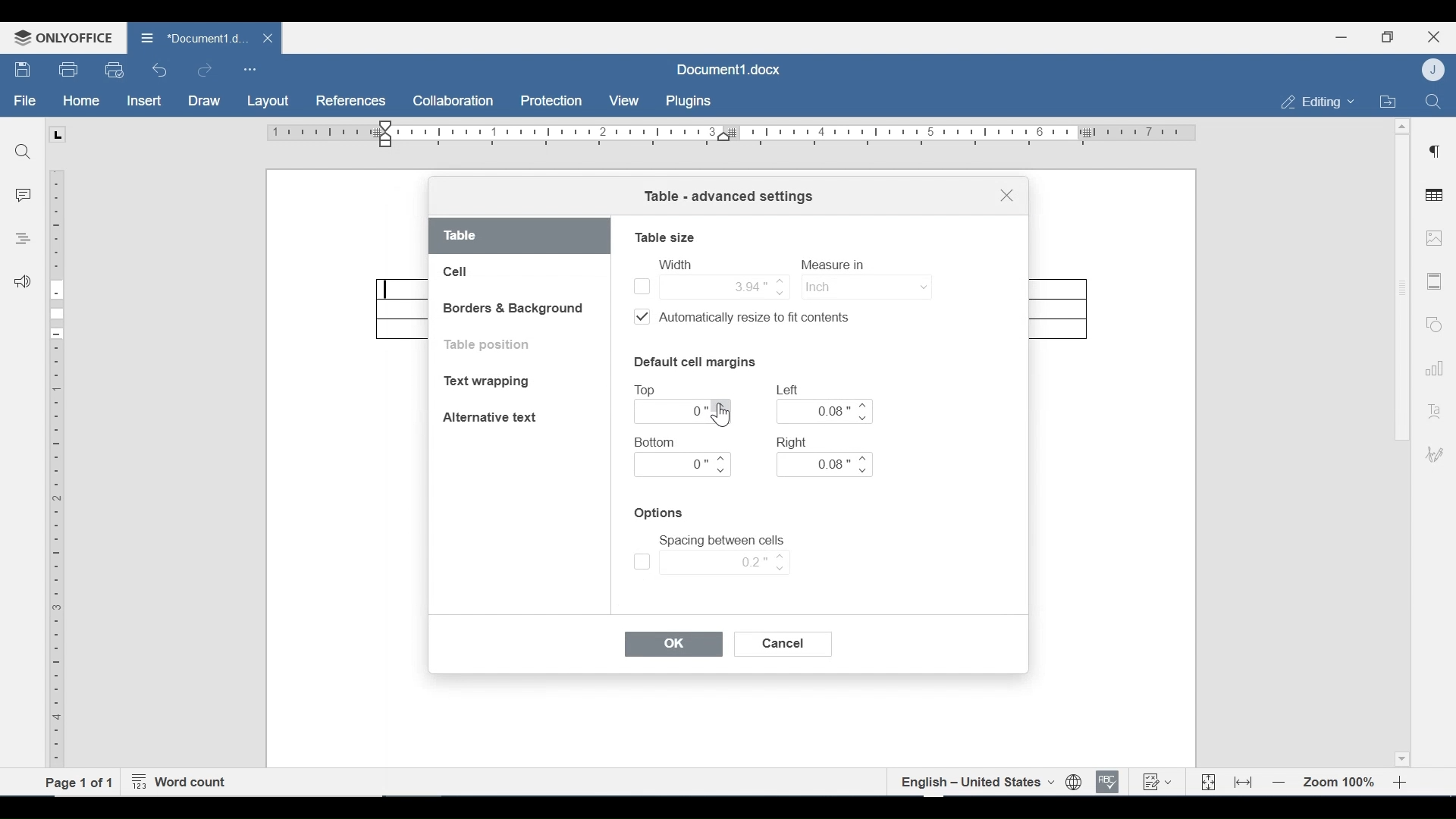 The image size is (1456, 819). What do you see at coordinates (686, 102) in the screenshot?
I see `Plugins` at bounding box center [686, 102].